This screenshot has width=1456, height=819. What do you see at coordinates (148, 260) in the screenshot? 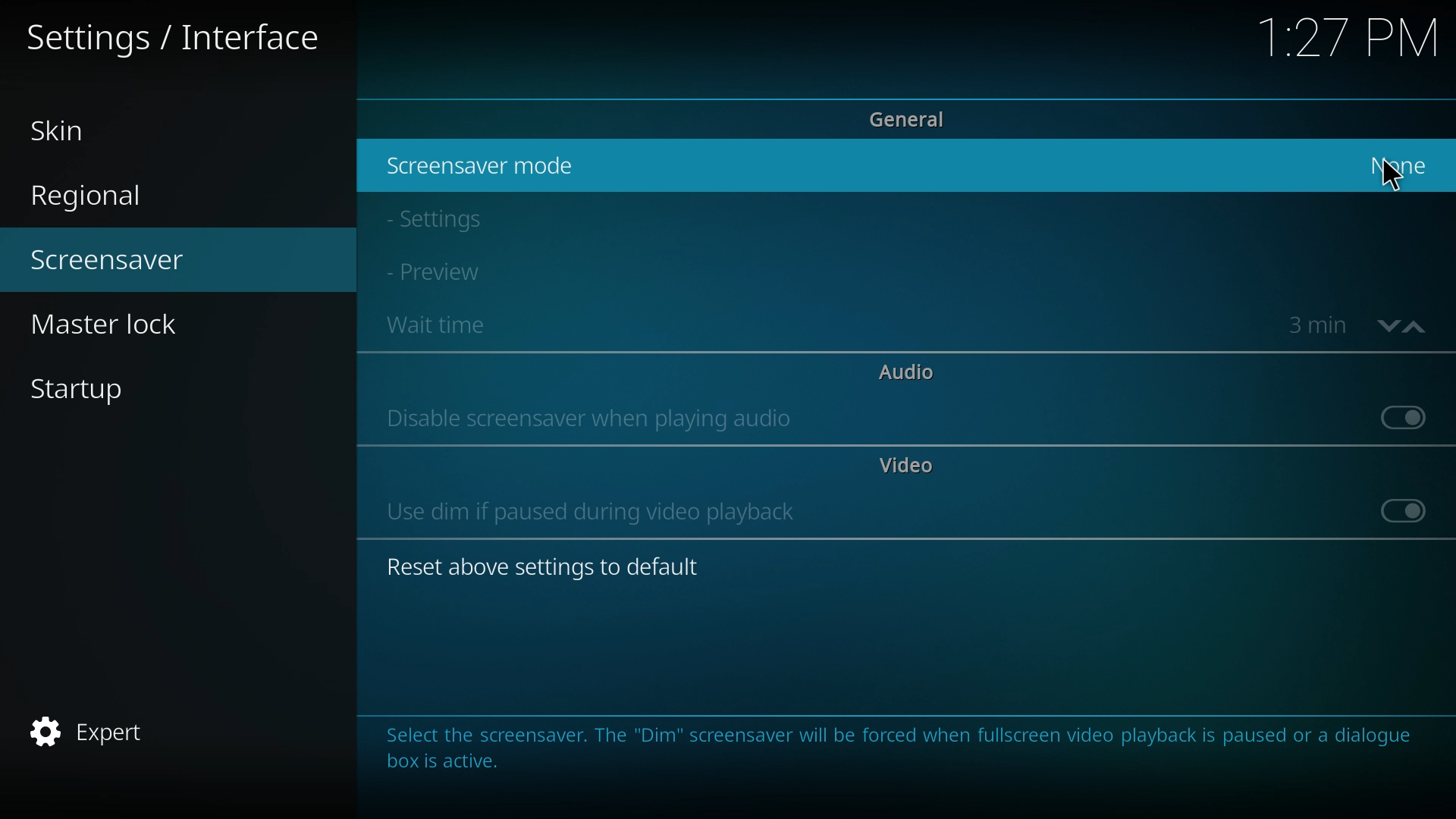
I see `screensaver` at bounding box center [148, 260].